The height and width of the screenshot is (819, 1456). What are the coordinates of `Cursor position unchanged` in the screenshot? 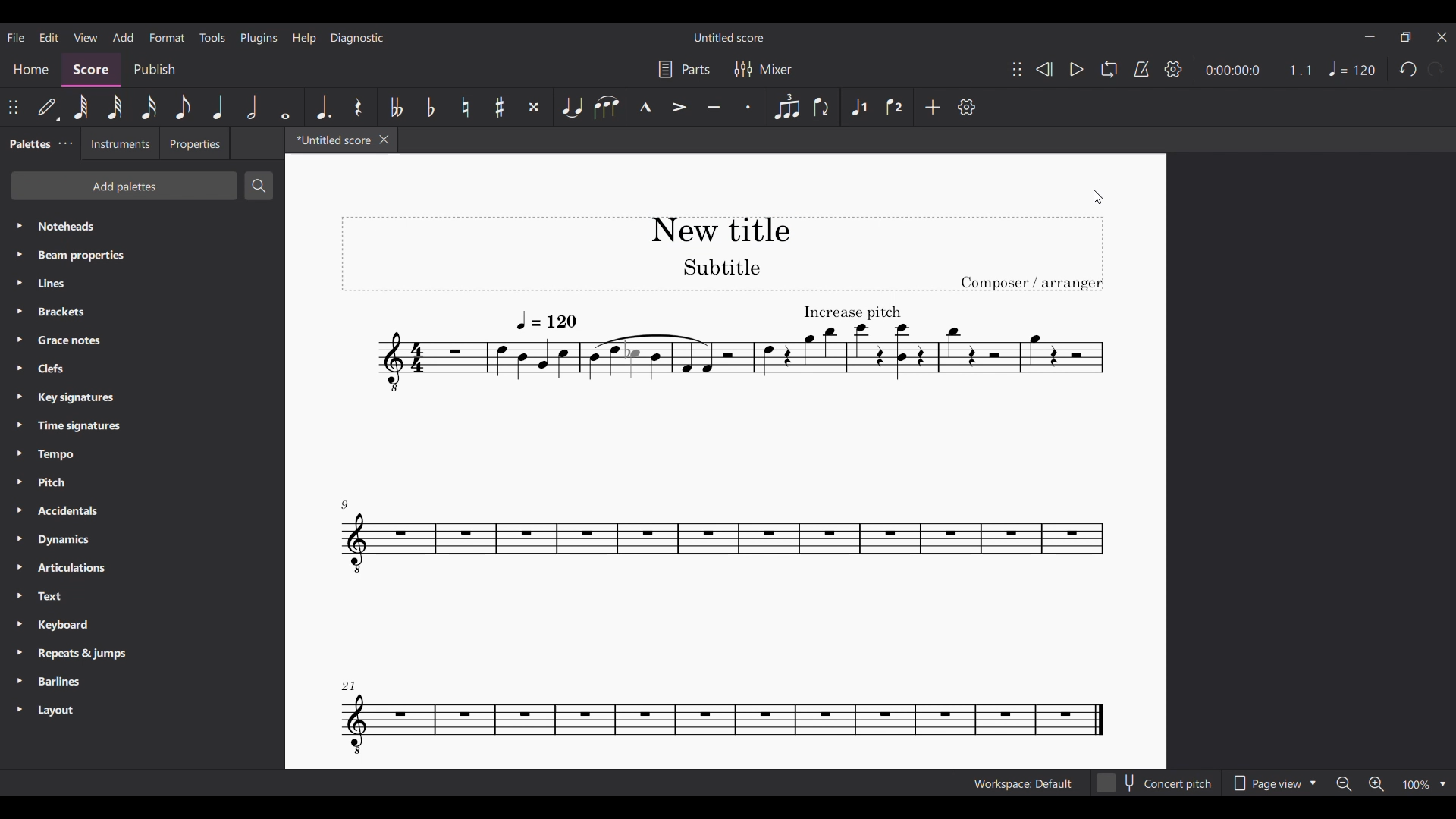 It's located at (1098, 197).